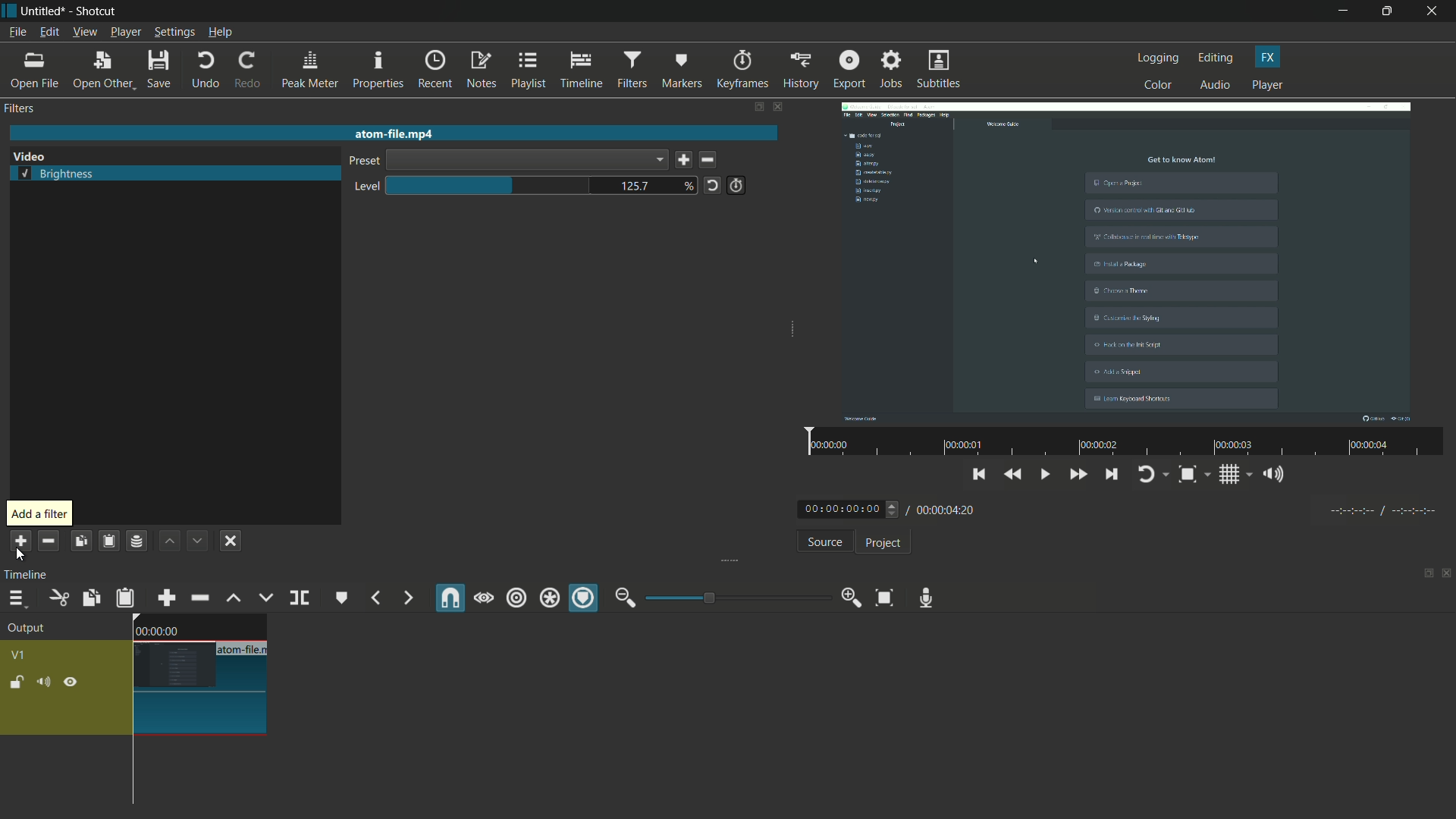  Describe the element at coordinates (884, 597) in the screenshot. I see `zoom timeline to fit` at that location.